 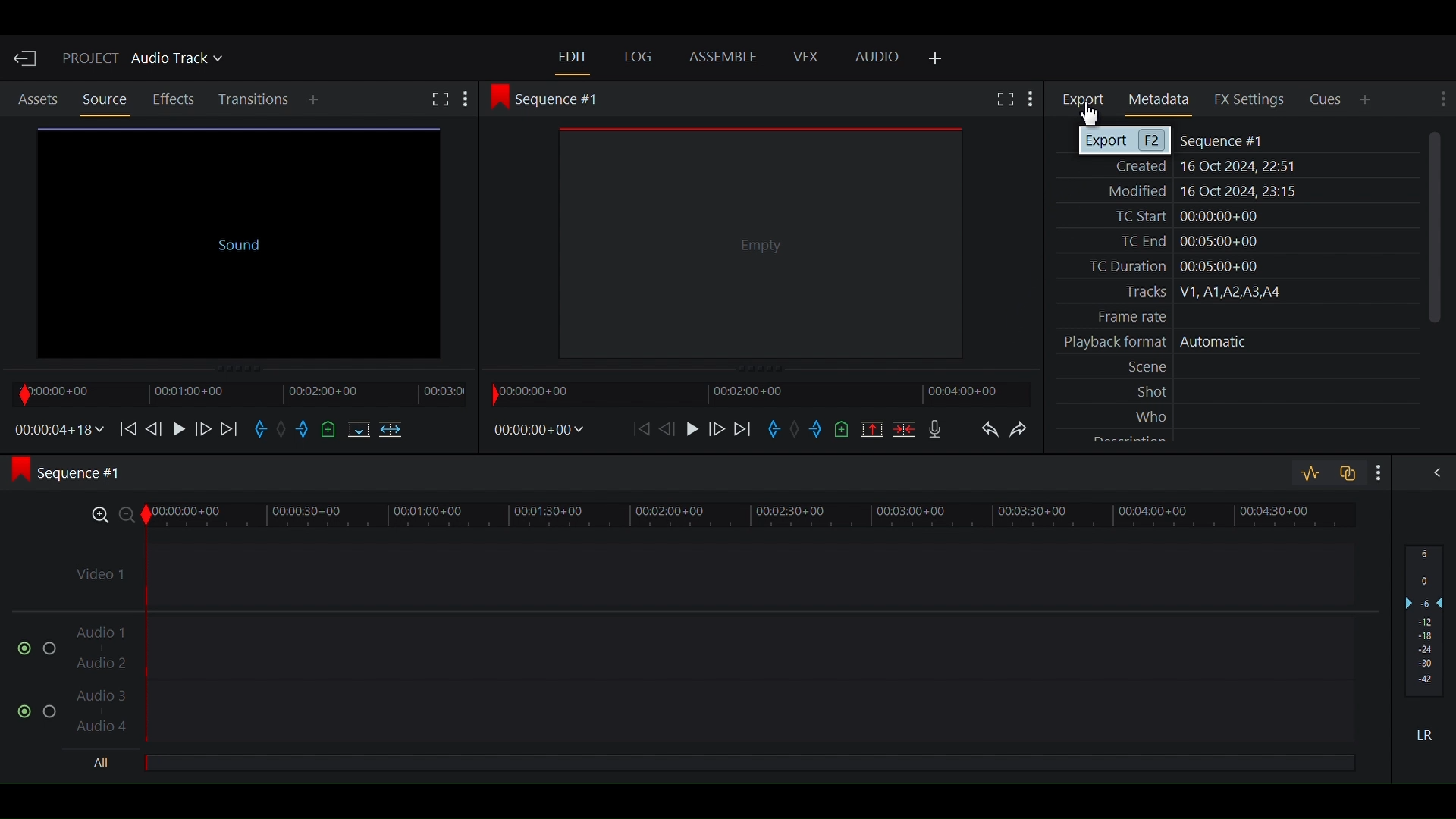 What do you see at coordinates (1142, 367) in the screenshot?
I see `Scene` at bounding box center [1142, 367].